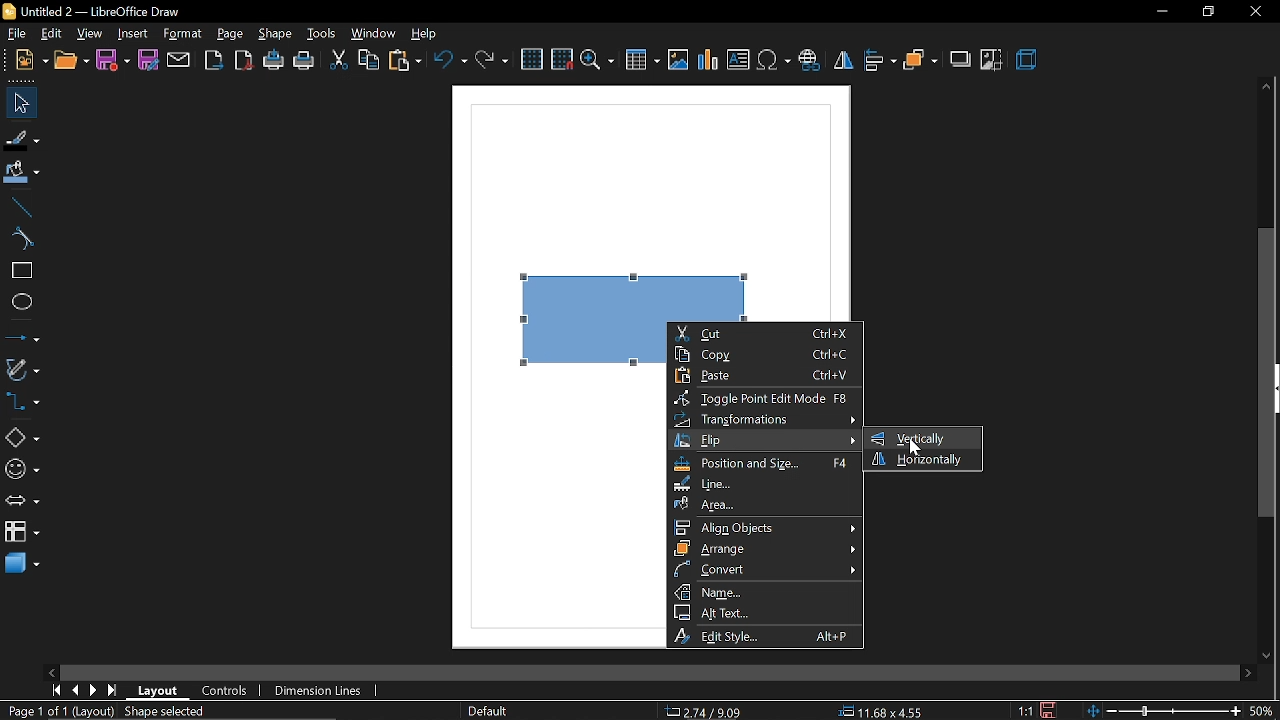 Image resolution: width=1280 pixels, height=720 pixels. What do you see at coordinates (214, 60) in the screenshot?
I see `export` at bounding box center [214, 60].